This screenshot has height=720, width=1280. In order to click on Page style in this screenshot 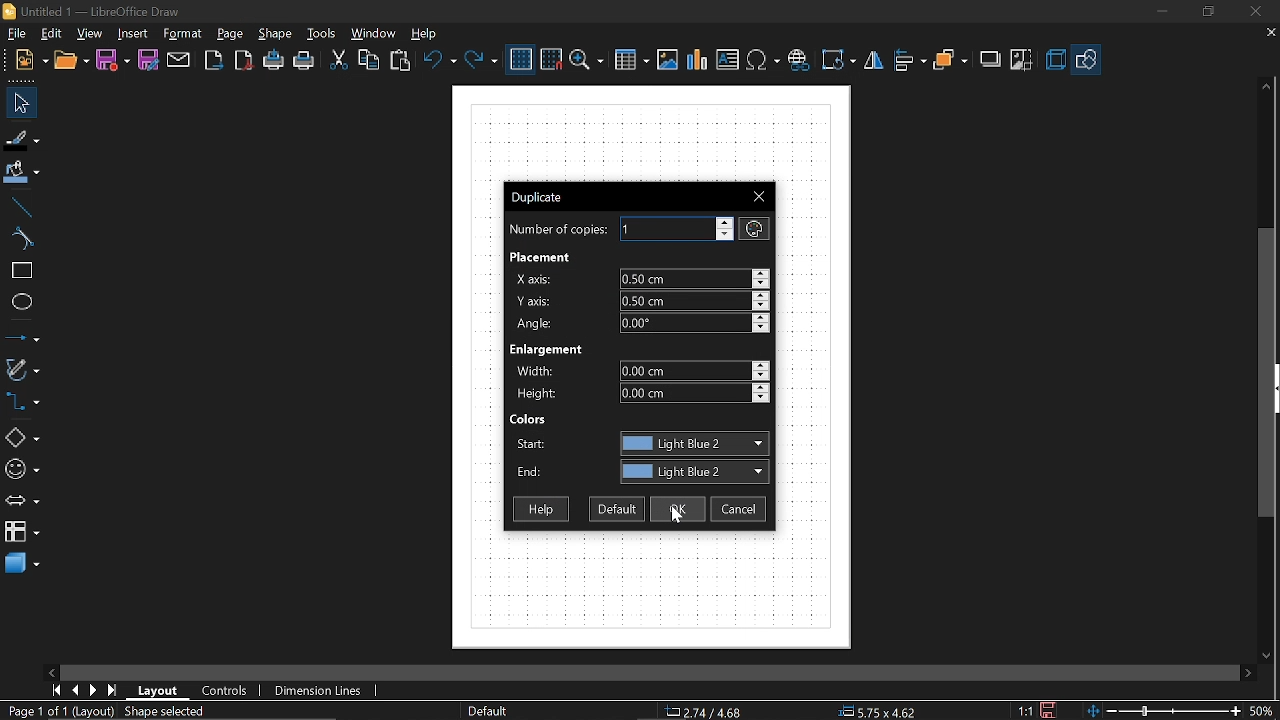, I will do `click(486, 712)`.